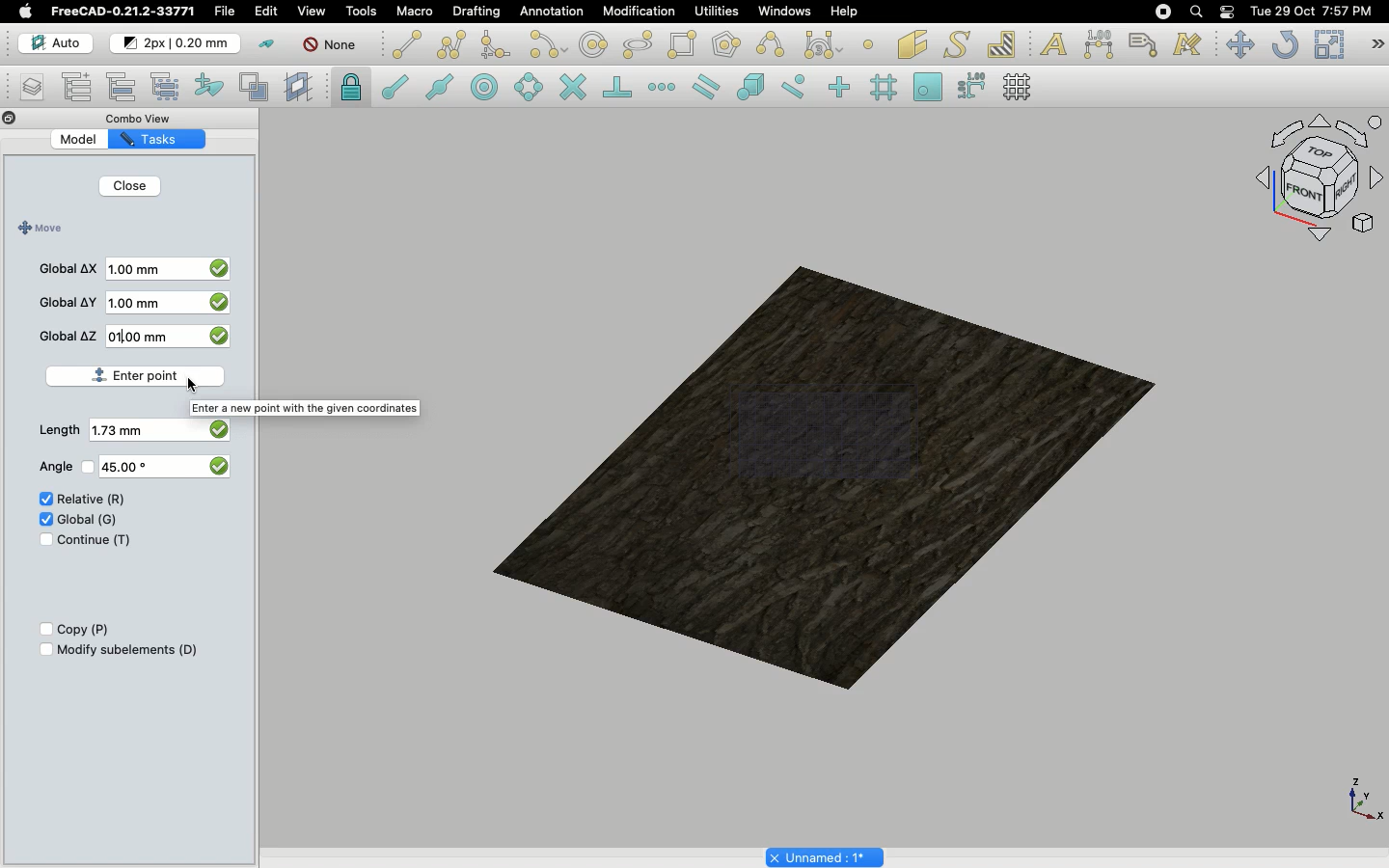  I want to click on Add new named group, so click(81, 89).